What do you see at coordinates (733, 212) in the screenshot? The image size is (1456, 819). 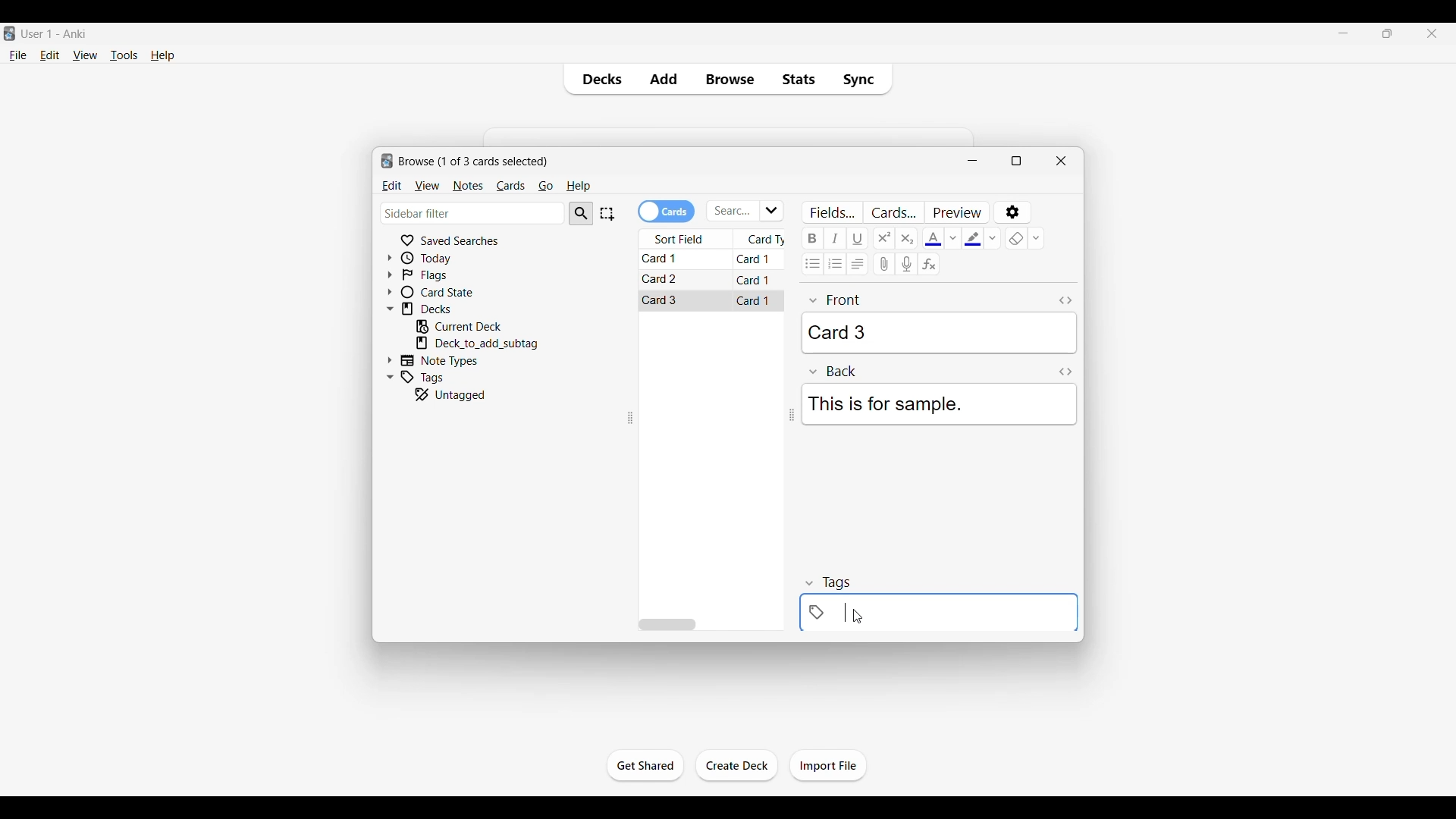 I see `Click to type in search` at bounding box center [733, 212].